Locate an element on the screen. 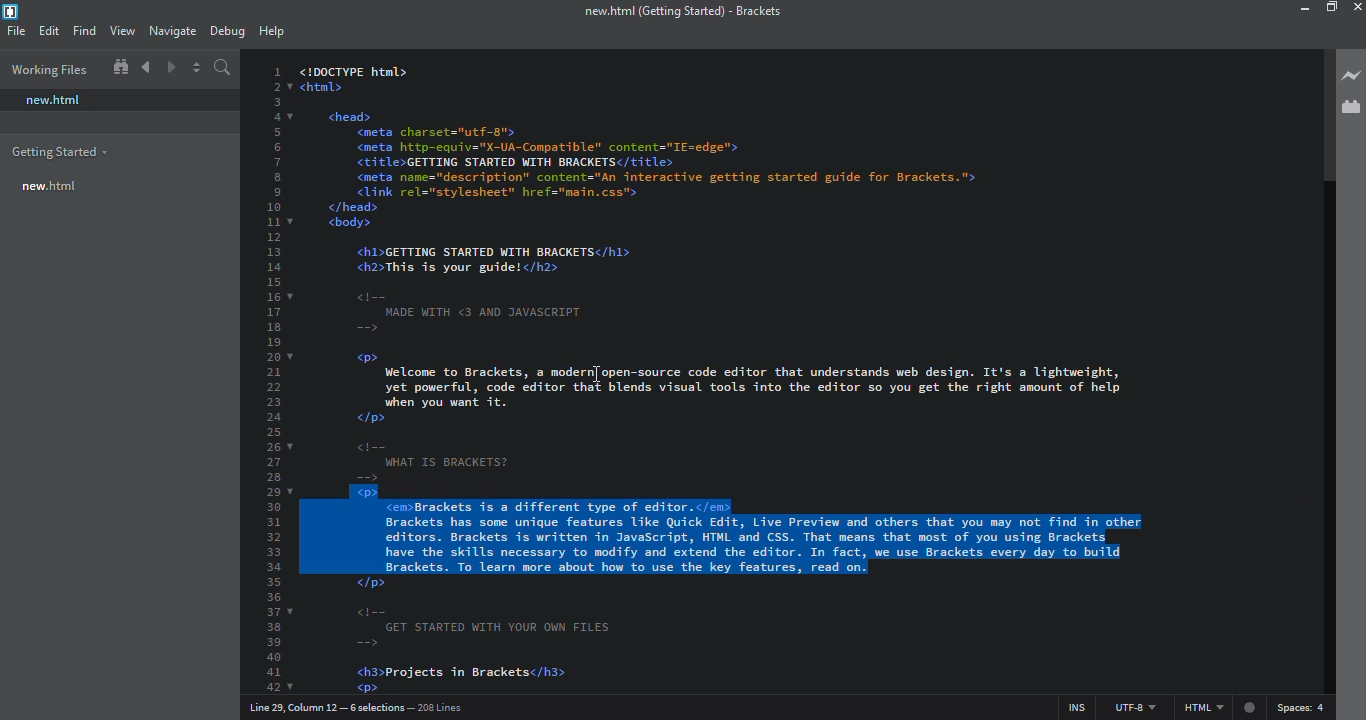 The height and width of the screenshot is (720, 1366). utf 8 is located at coordinates (1127, 704).